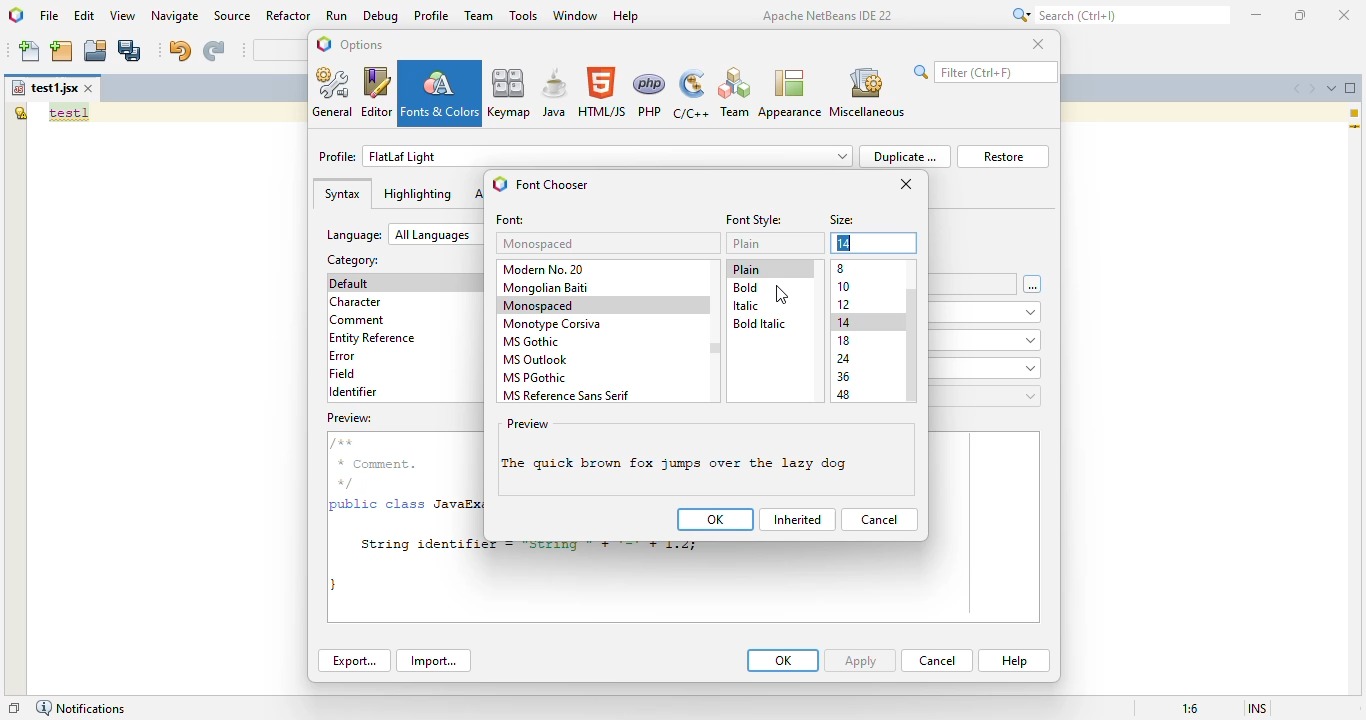 The width and height of the screenshot is (1366, 720). I want to click on maximize, so click(1301, 15).